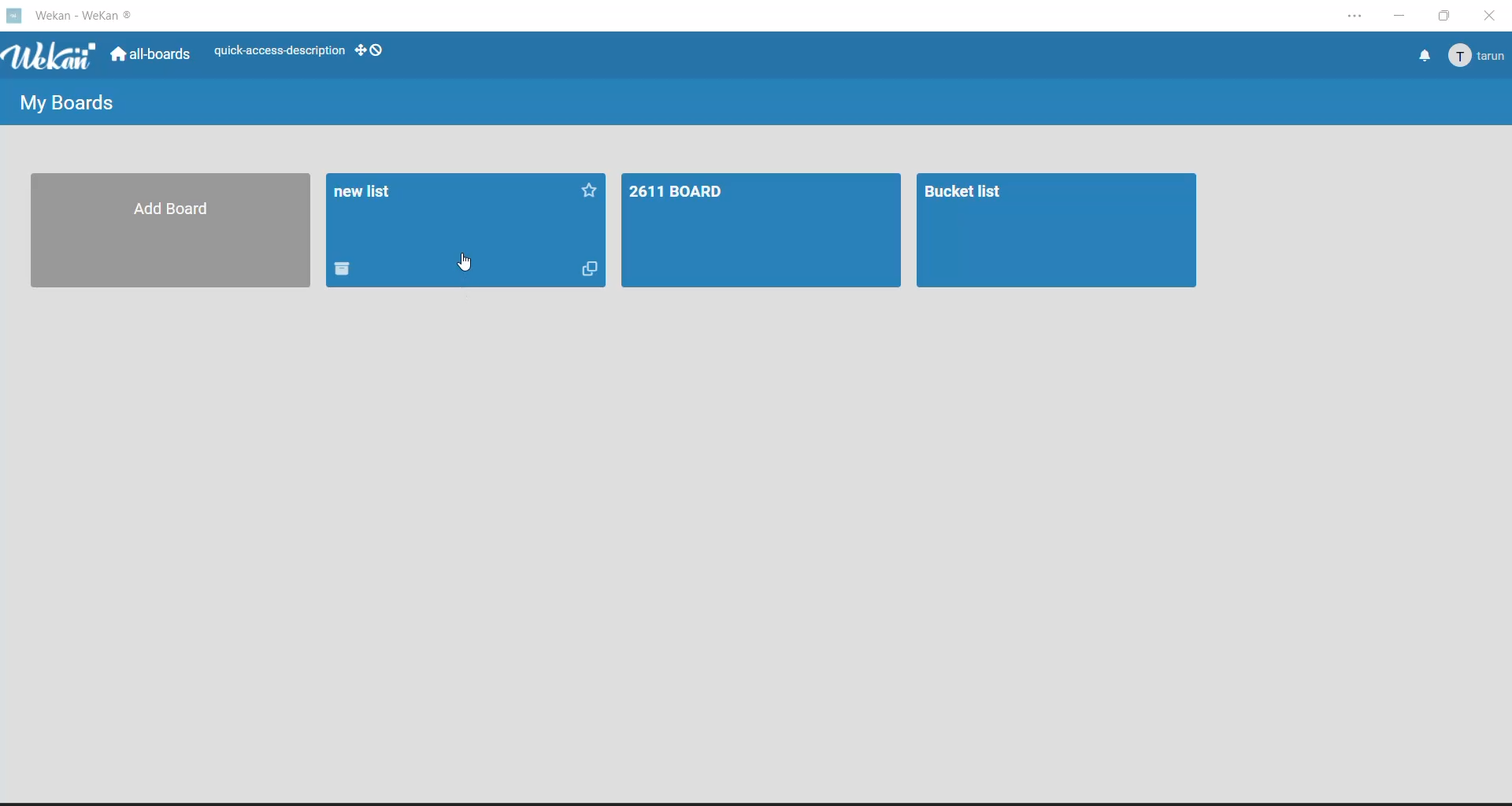 This screenshot has width=1512, height=806. Describe the element at coordinates (161, 230) in the screenshot. I see `Add Board` at that location.